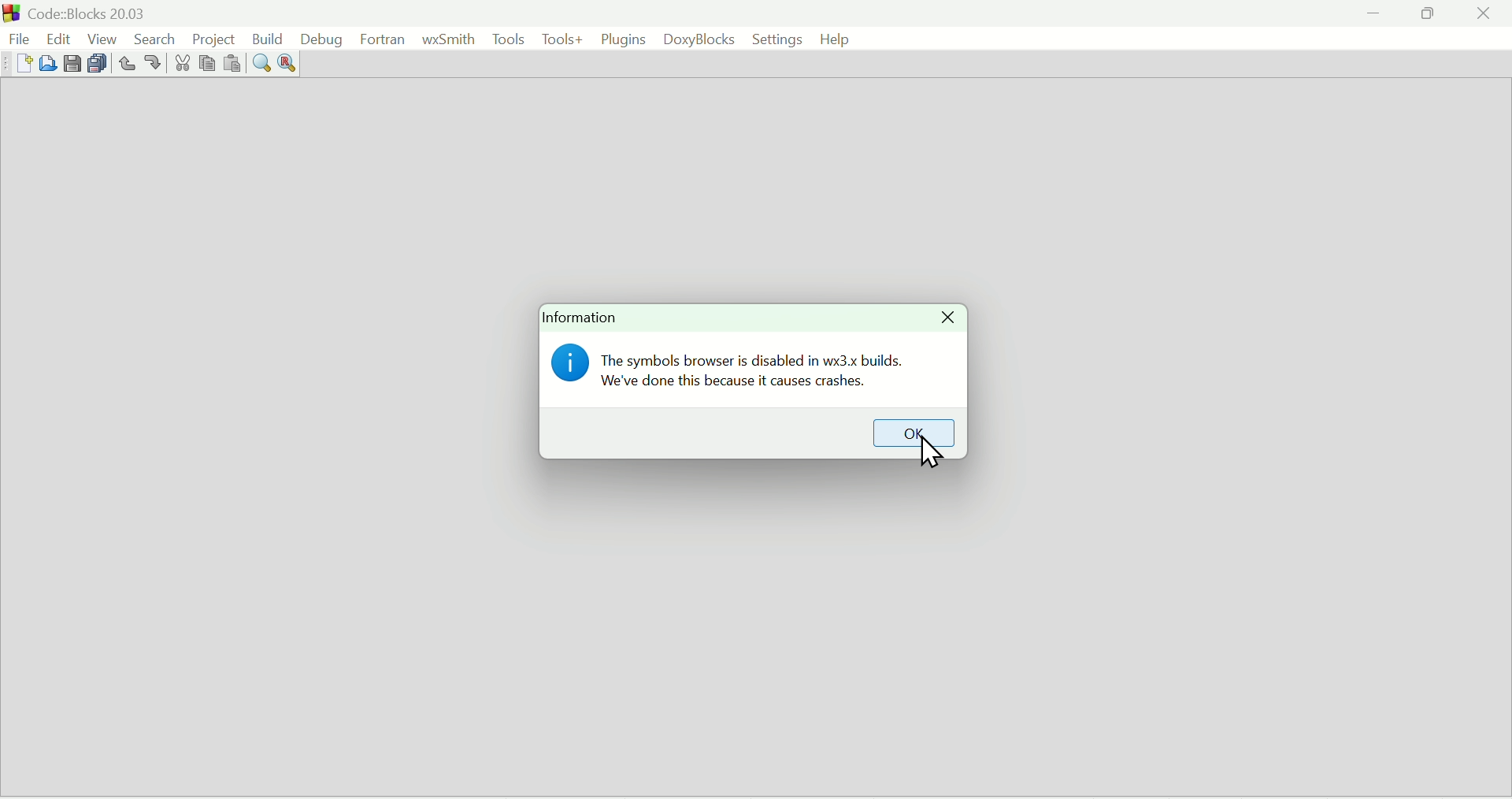 The width and height of the screenshot is (1512, 799). Describe the element at coordinates (72, 63) in the screenshot. I see `Save` at that location.